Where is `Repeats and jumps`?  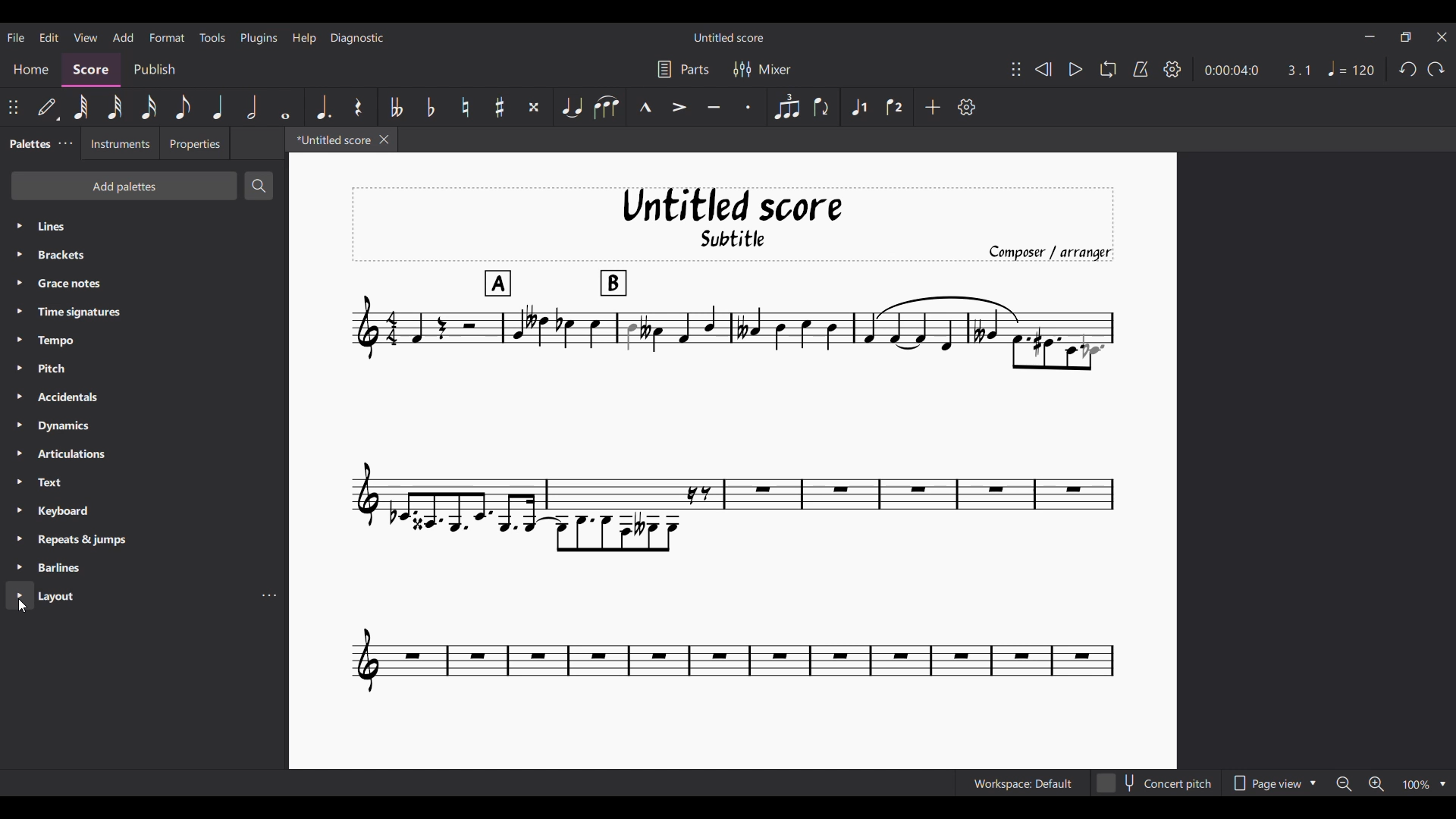 Repeats and jumps is located at coordinates (143, 540).